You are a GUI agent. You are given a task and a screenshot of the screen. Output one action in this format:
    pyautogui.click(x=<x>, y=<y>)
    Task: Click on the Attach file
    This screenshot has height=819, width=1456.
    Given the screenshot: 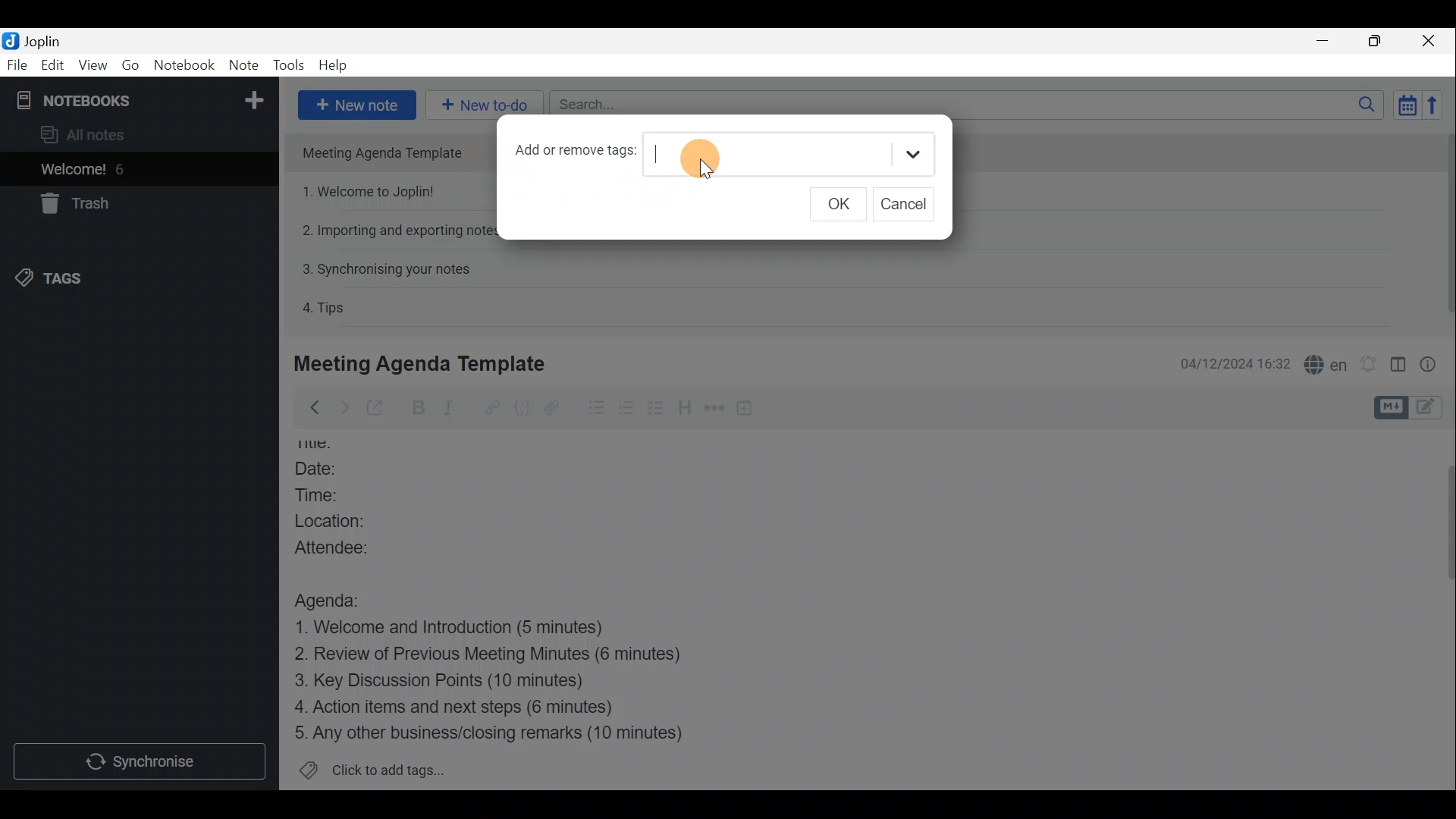 What is the action you would take?
    pyautogui.click(x=561, y=407)
    